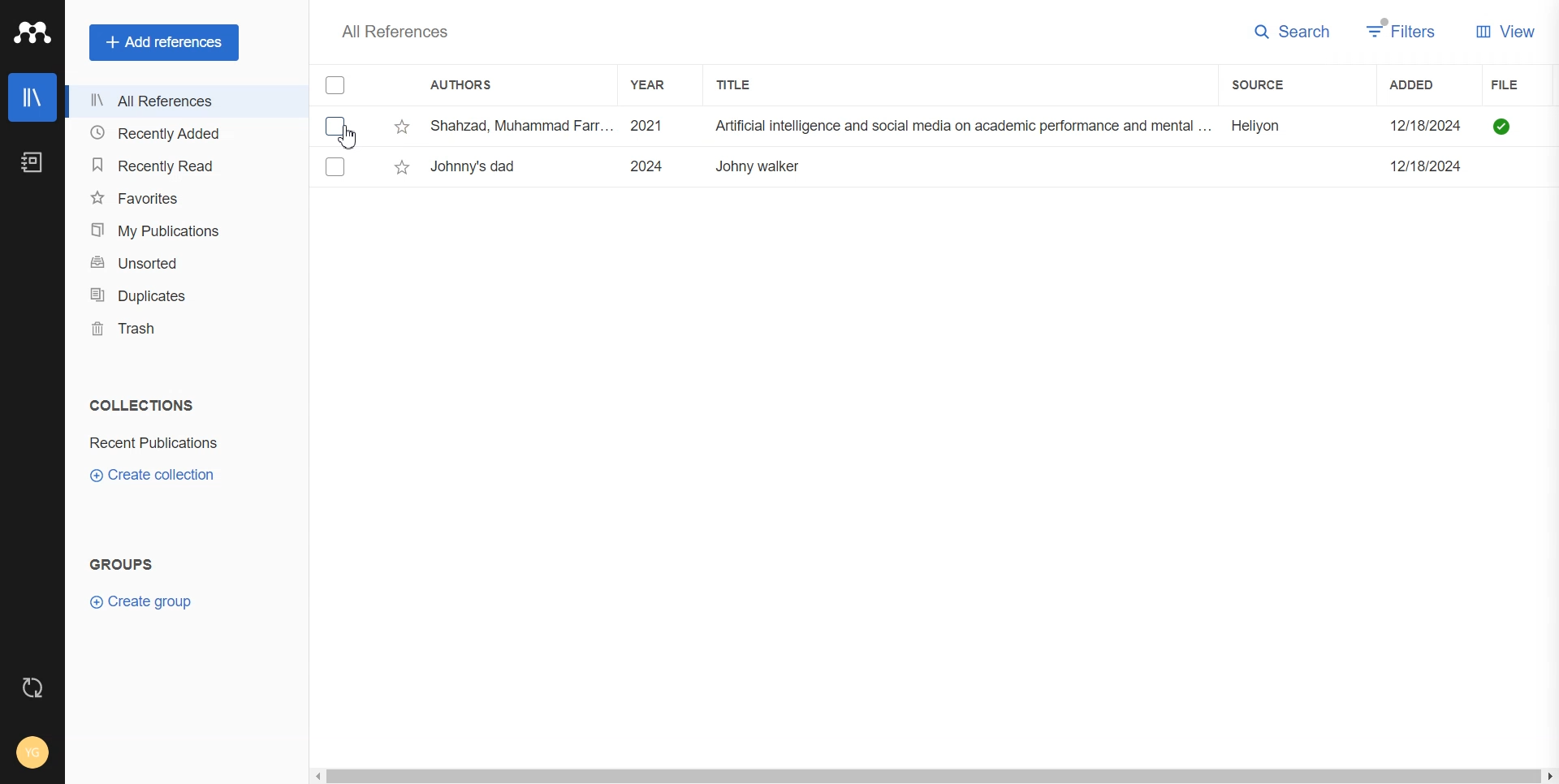 The height and width of the screenshot is (784, 1559). What do you see at coordinates (32, 97) in the screenshot?
I see `Library` at bounding box center [32, 97].